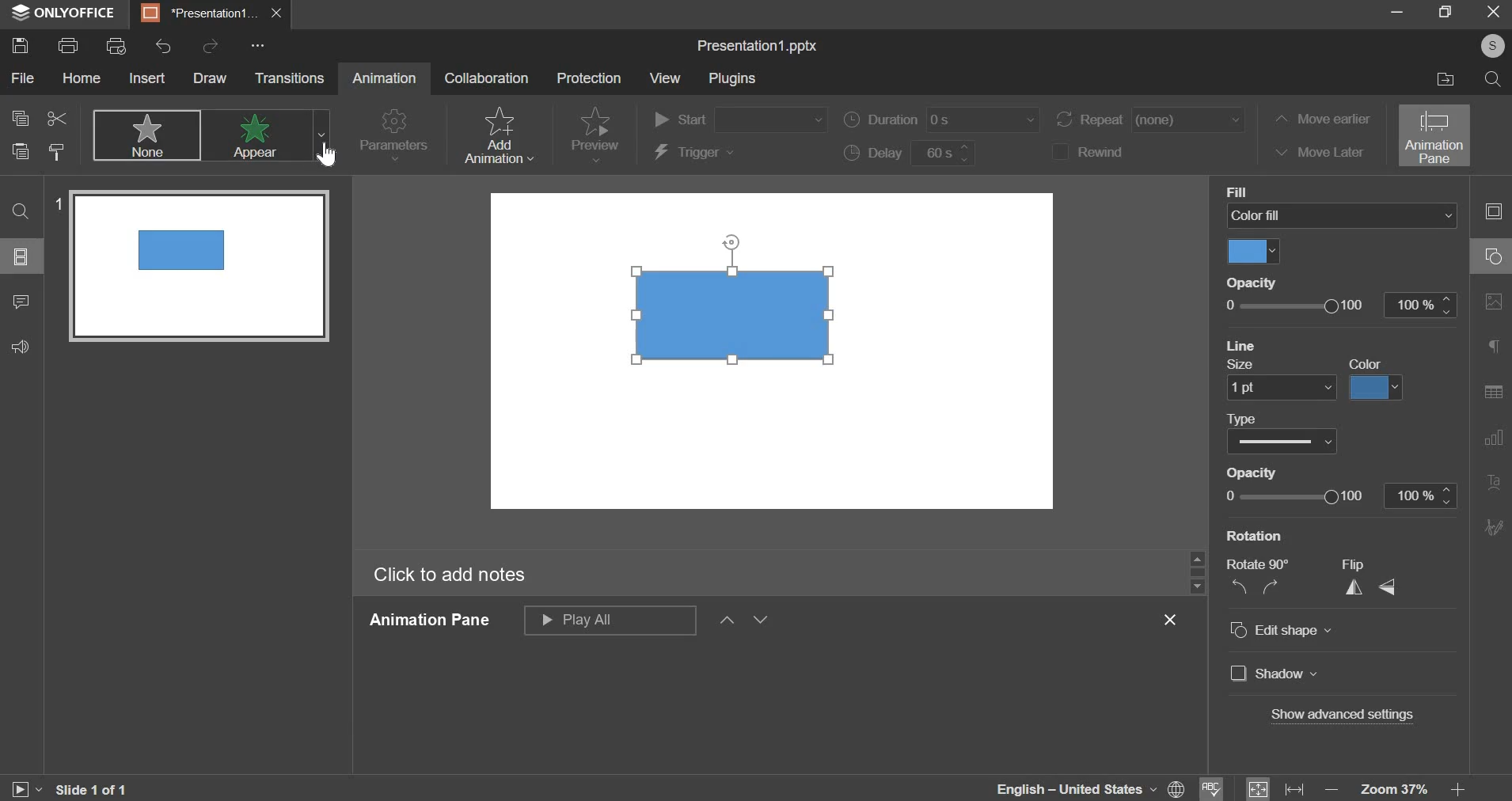  I want to click on delay, so click(914, 154).